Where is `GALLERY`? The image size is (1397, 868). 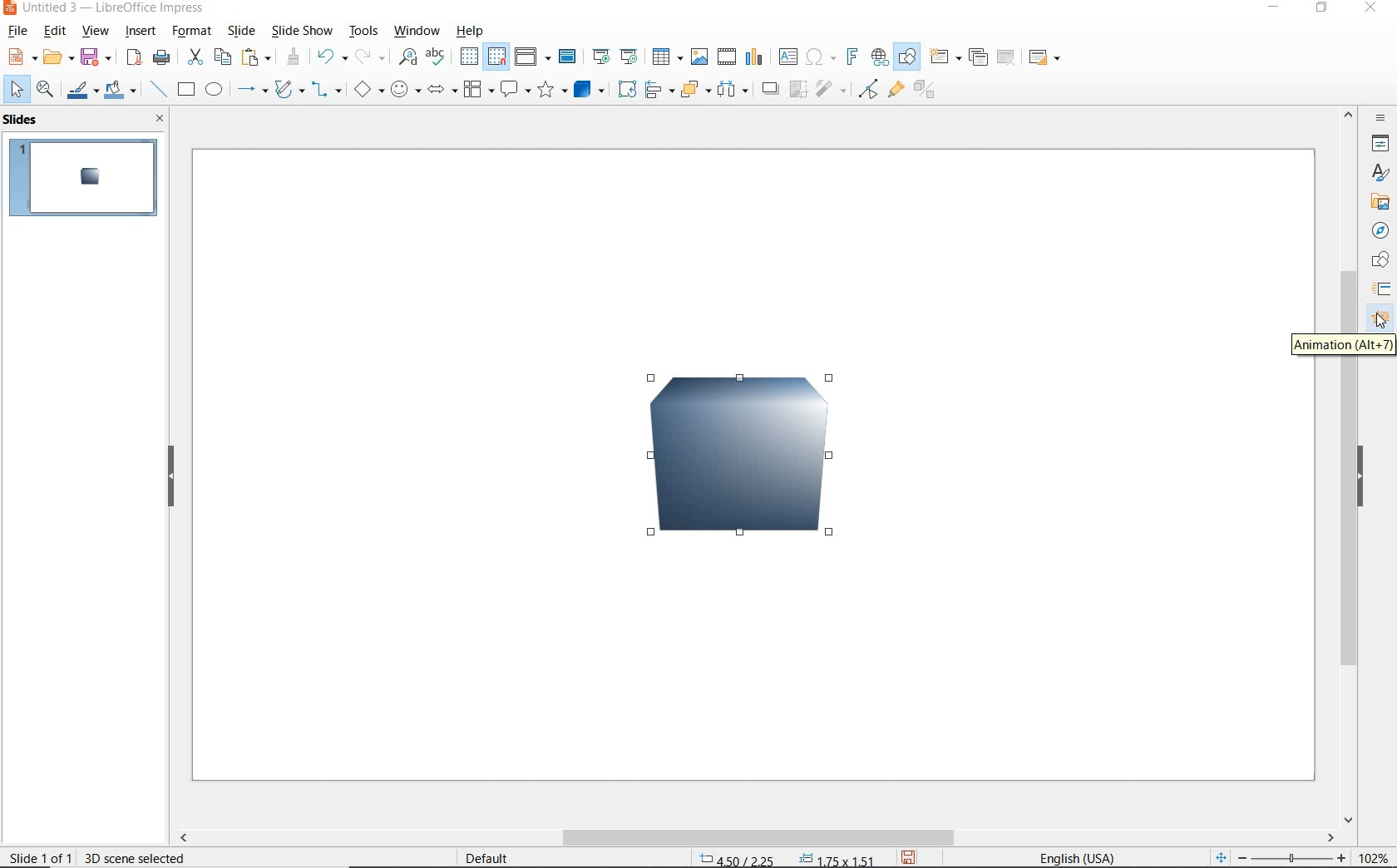 GALLERY is located at coordinates (1380, 204).